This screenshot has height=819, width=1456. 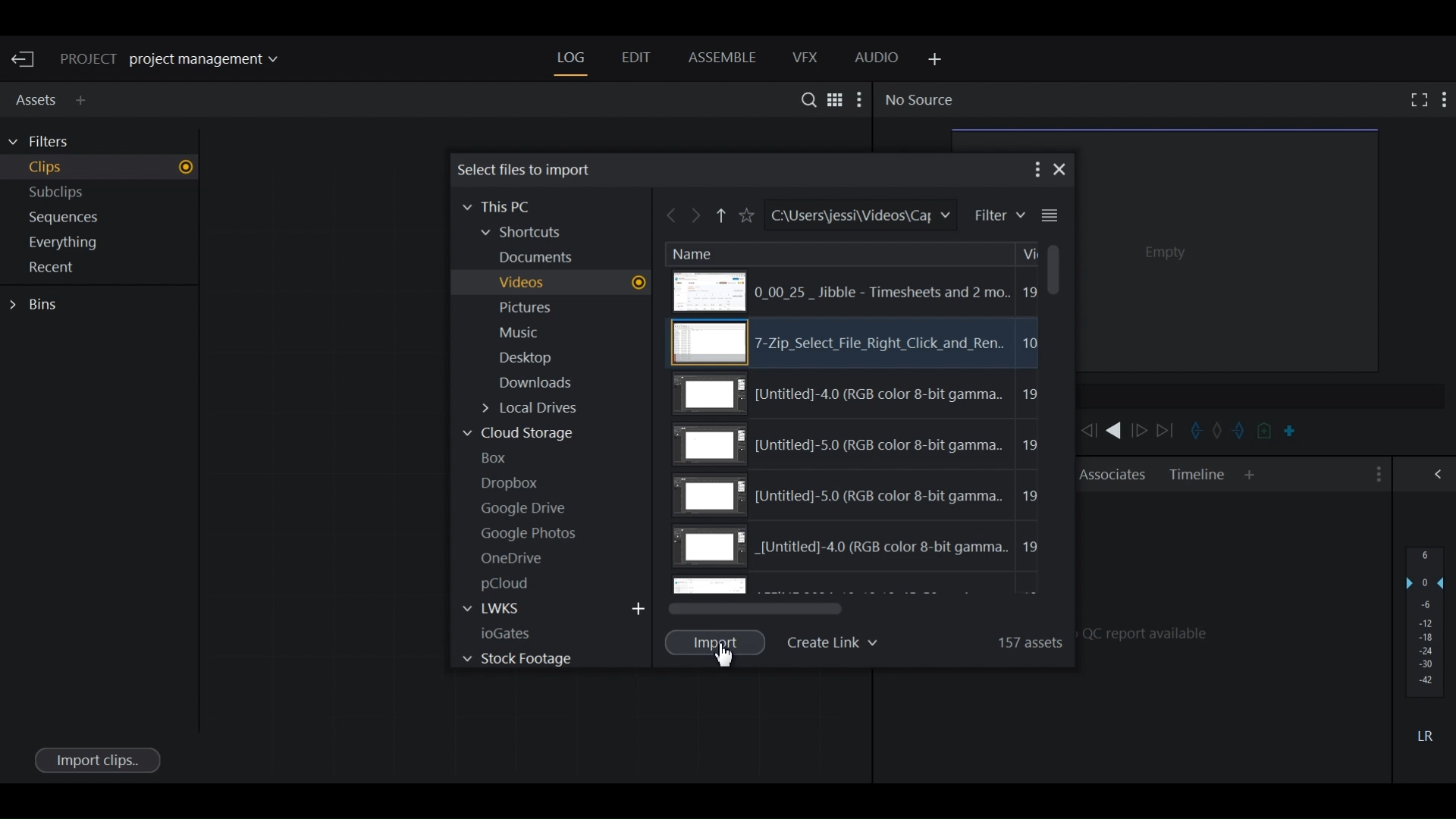 What do you see at coordinates (102, 169) in the screenshot?
I see `Show Clips in current project` at bounding box center [102, 169].